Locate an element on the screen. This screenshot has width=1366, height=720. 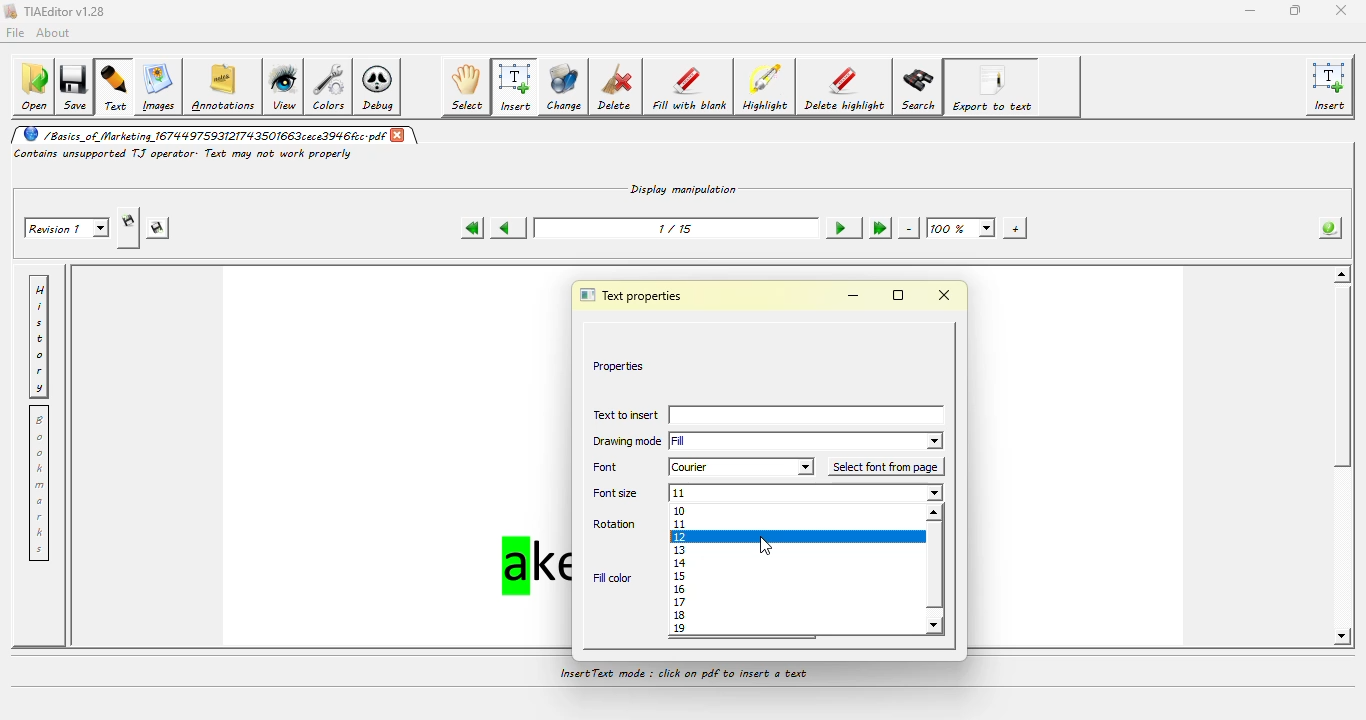
search is located at coordinates (919, 87).